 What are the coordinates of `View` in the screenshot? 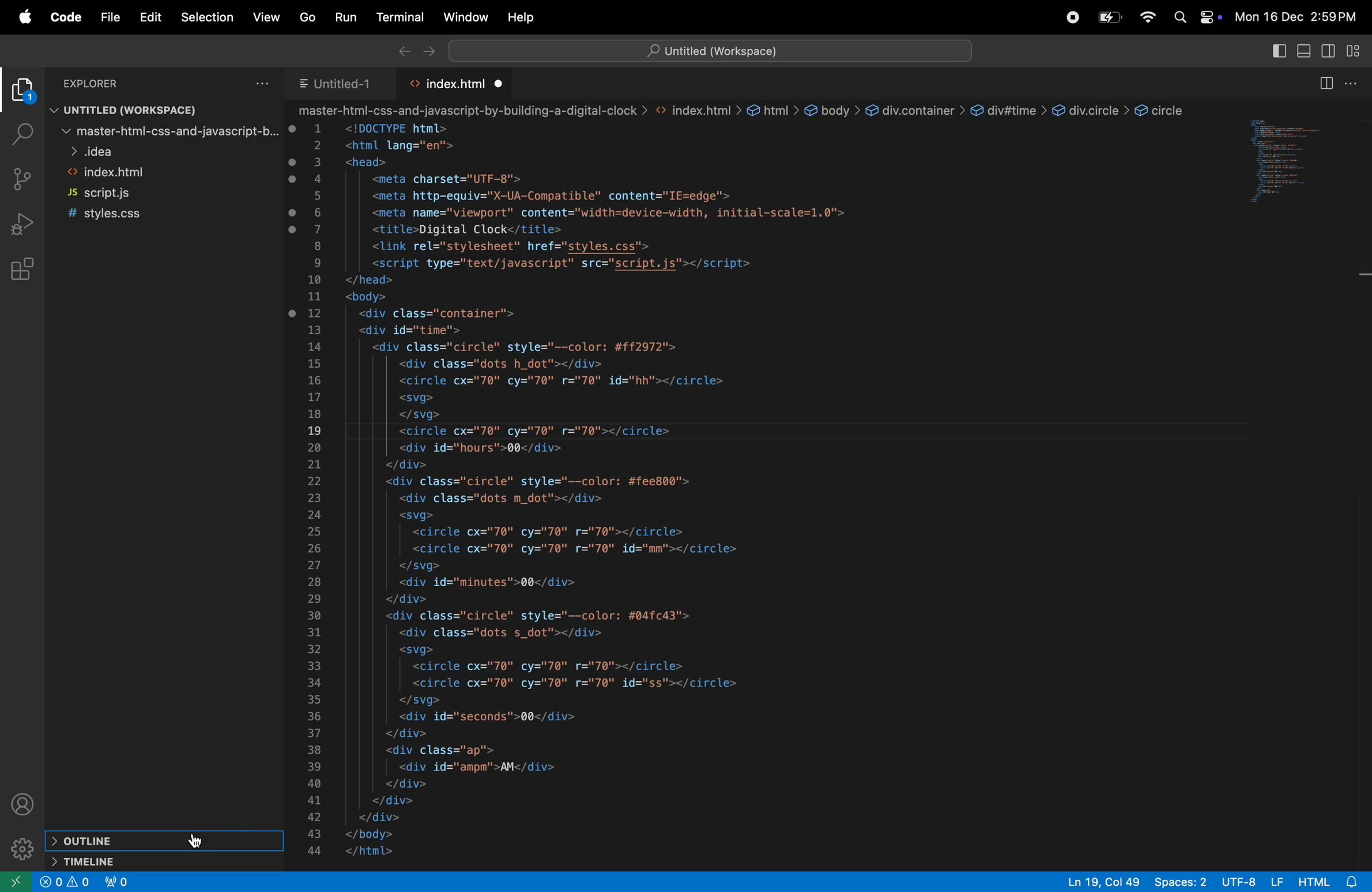 It's located at (265, 20).